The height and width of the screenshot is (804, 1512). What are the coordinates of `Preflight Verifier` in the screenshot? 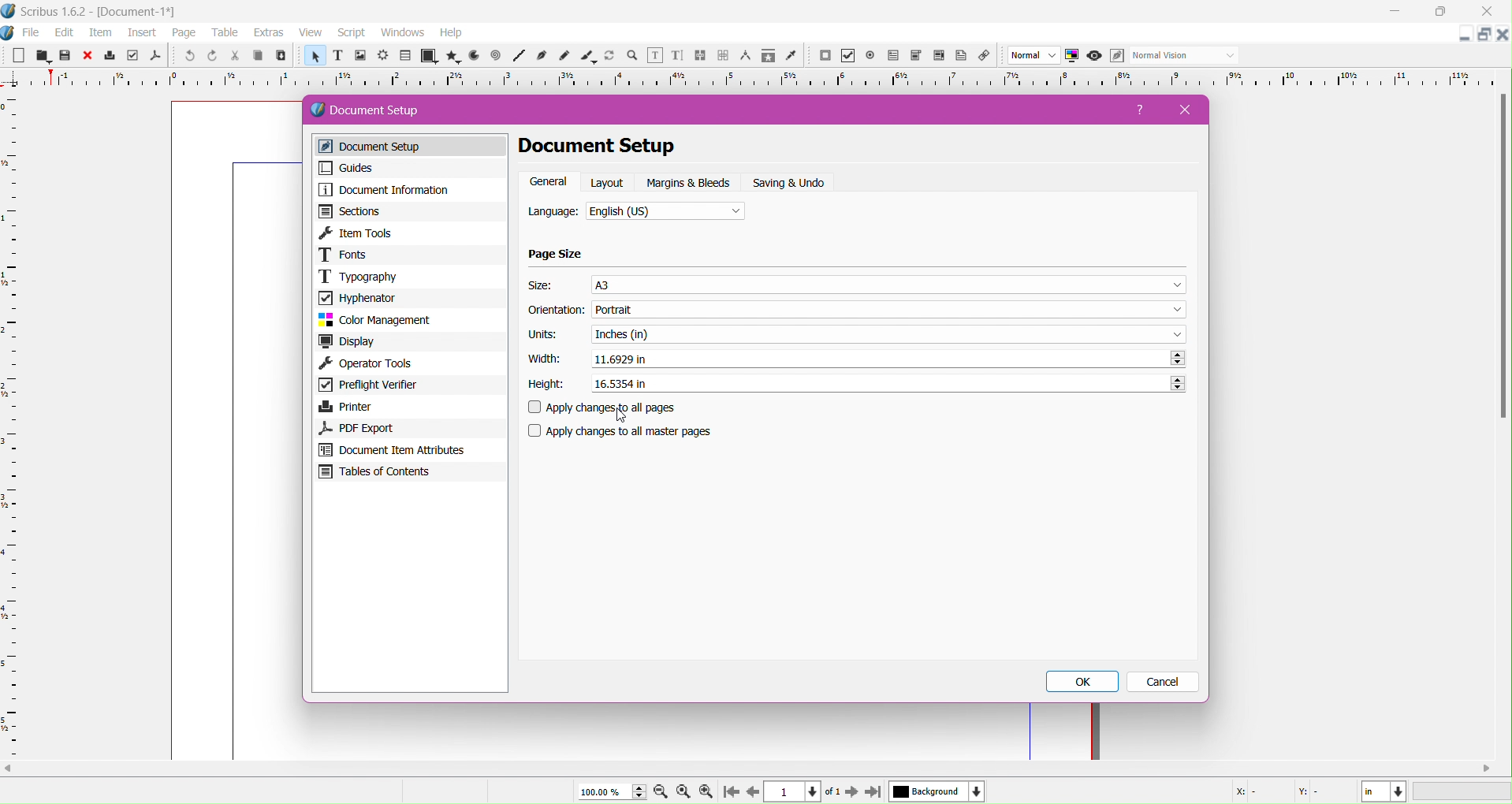 It's located at (408, 386).